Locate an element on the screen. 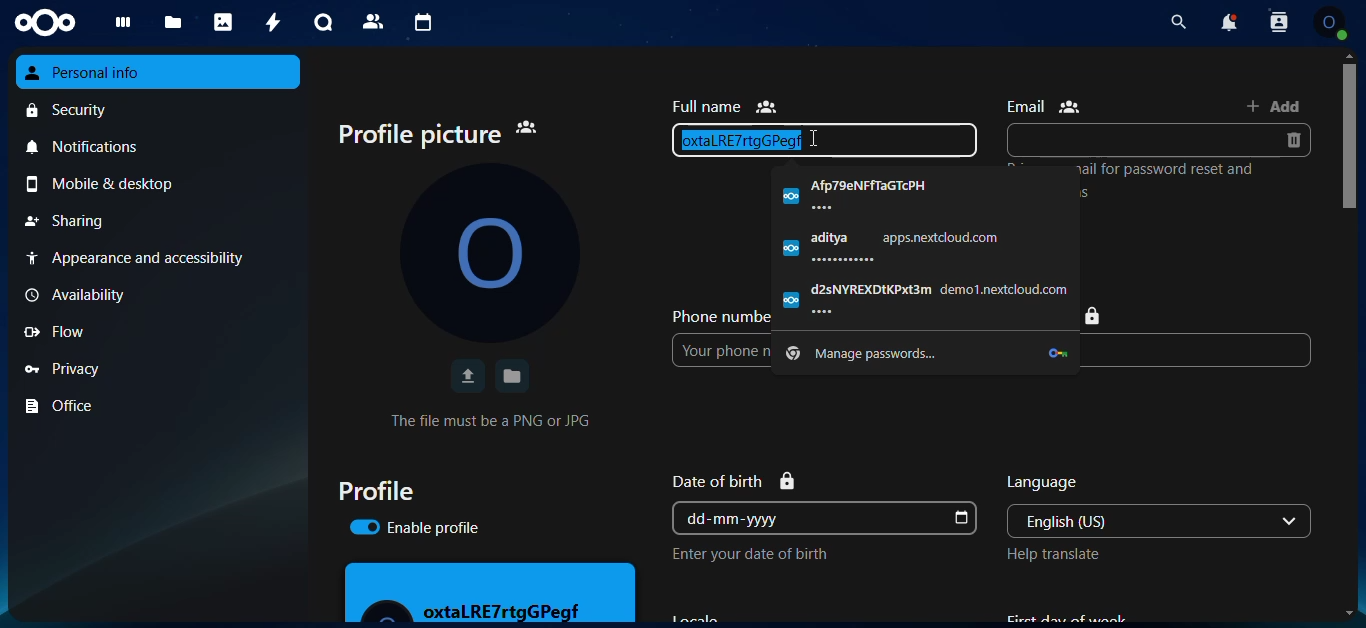 This screenshot has height=628, width=1366. phone number is located at coordinates (719, 315).